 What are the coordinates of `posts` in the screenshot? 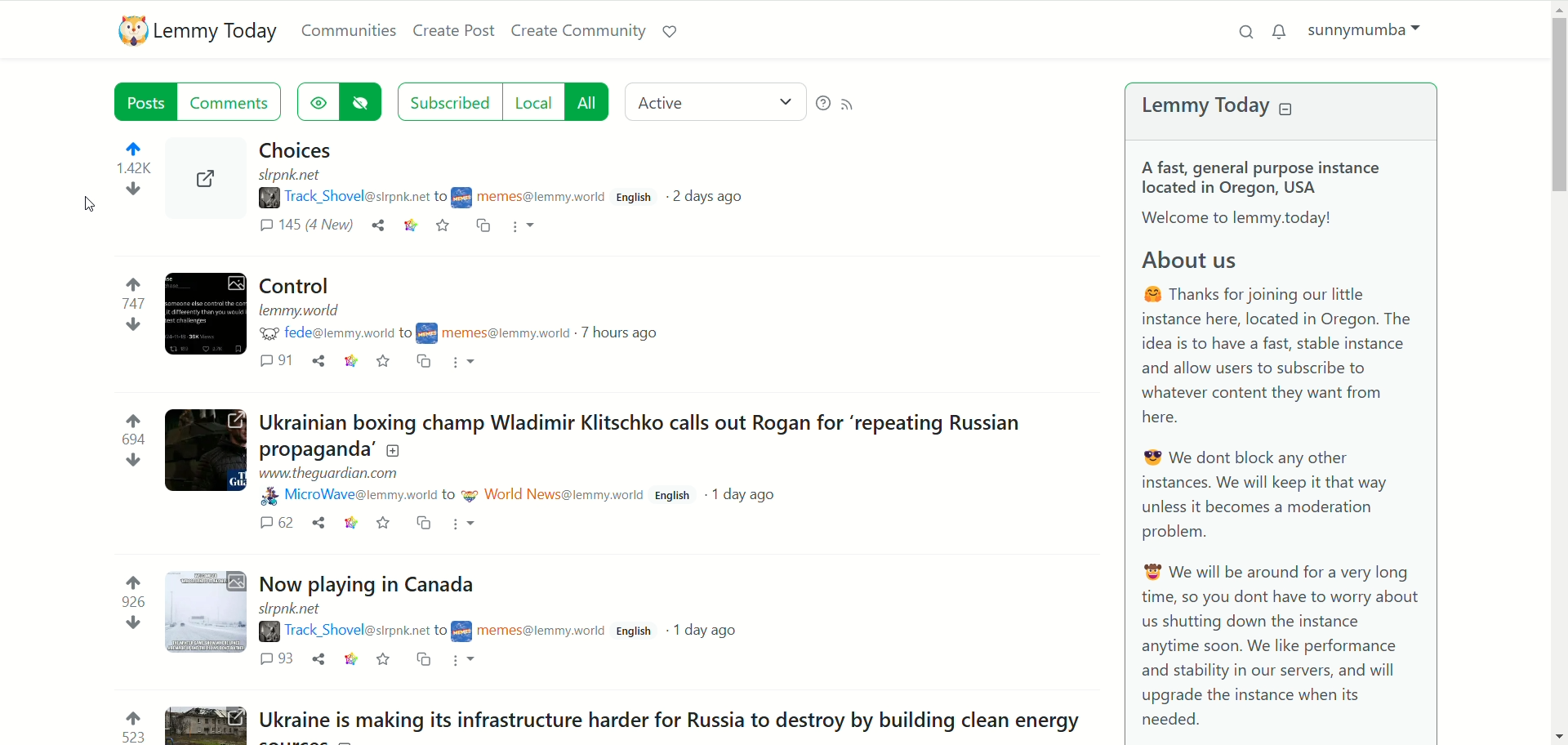 It's located at (140, 100).